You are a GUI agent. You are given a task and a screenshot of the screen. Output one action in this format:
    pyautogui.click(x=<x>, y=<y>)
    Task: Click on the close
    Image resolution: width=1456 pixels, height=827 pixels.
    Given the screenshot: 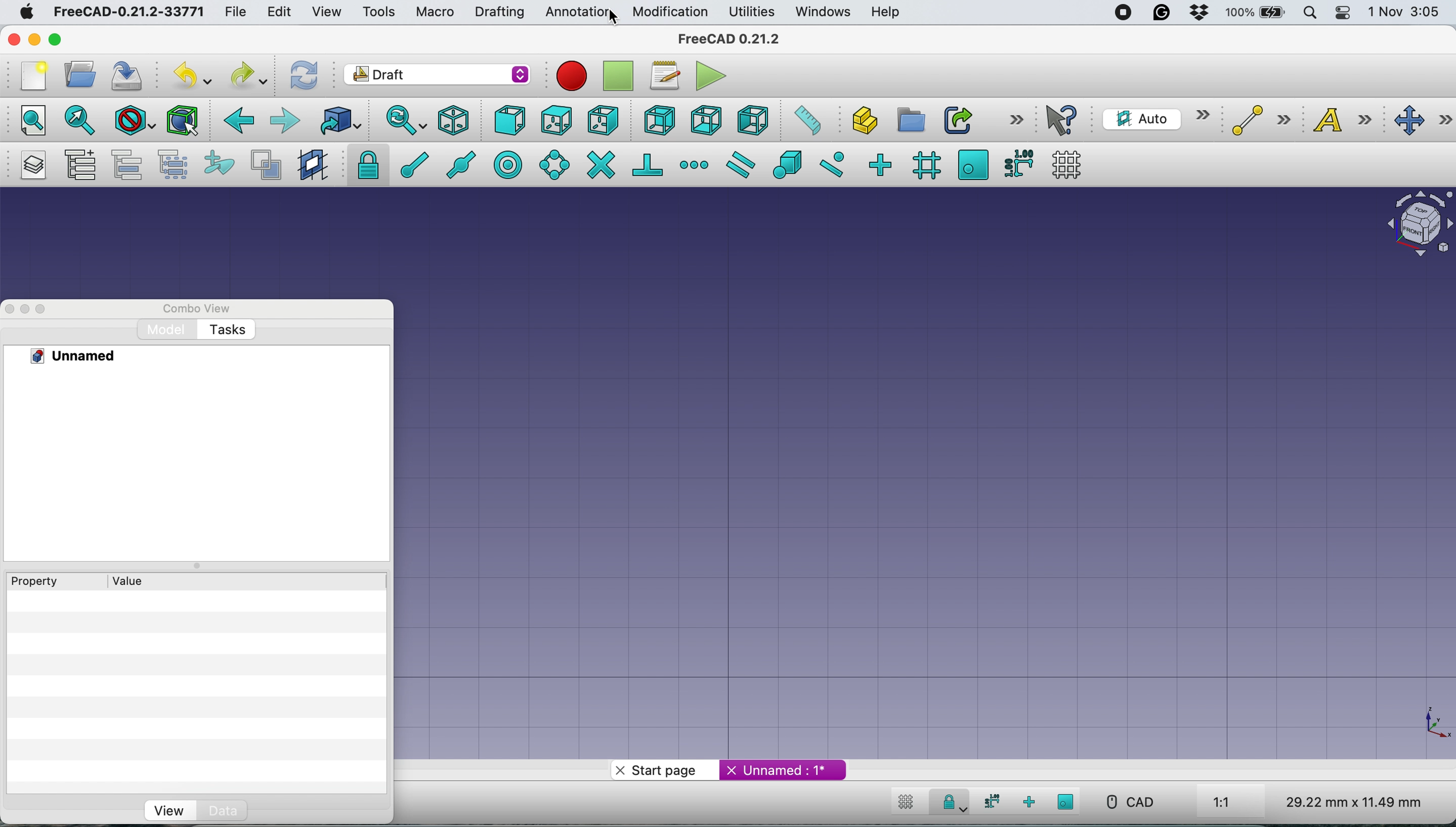 What is the action you would take?
    pyautogui.click(x=13, y=39)
    